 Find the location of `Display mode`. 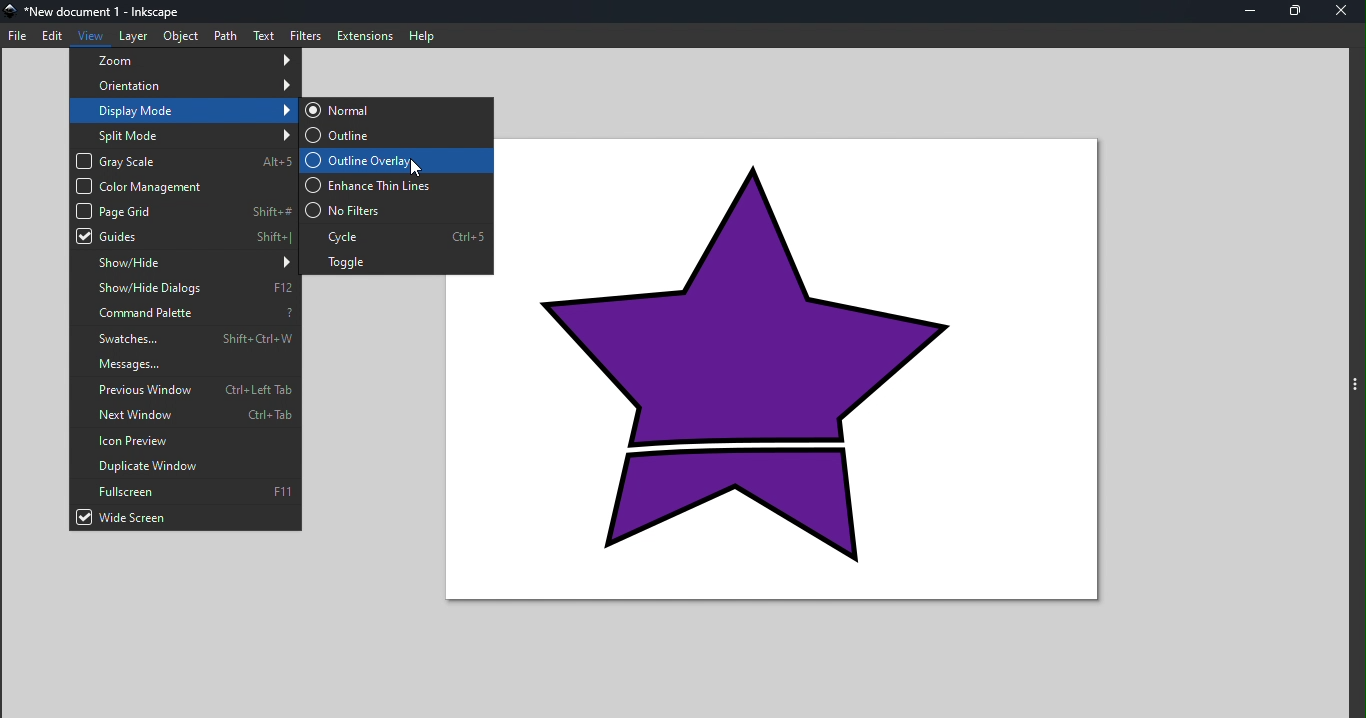

Display mode is located at coordinates (187, 110).